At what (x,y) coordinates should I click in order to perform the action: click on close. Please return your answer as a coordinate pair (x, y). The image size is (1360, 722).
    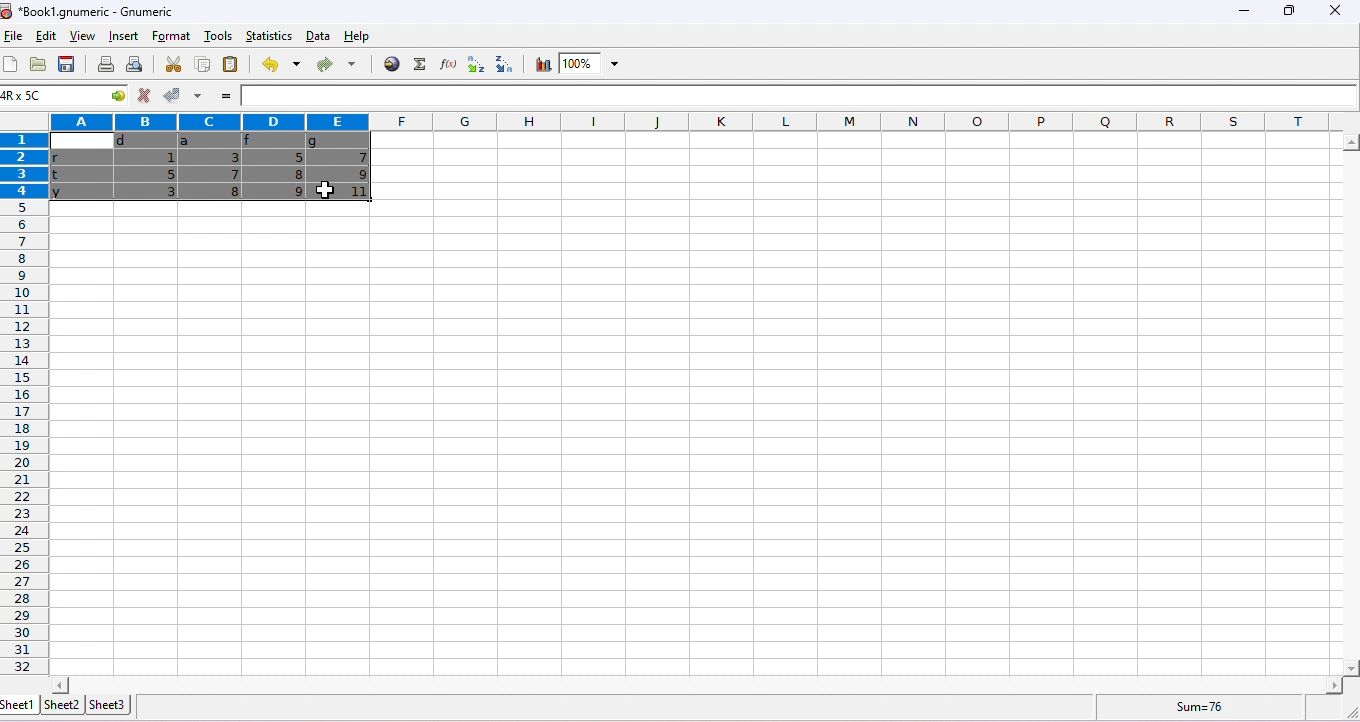
    Looking at the image, I should click on (1334, 11).